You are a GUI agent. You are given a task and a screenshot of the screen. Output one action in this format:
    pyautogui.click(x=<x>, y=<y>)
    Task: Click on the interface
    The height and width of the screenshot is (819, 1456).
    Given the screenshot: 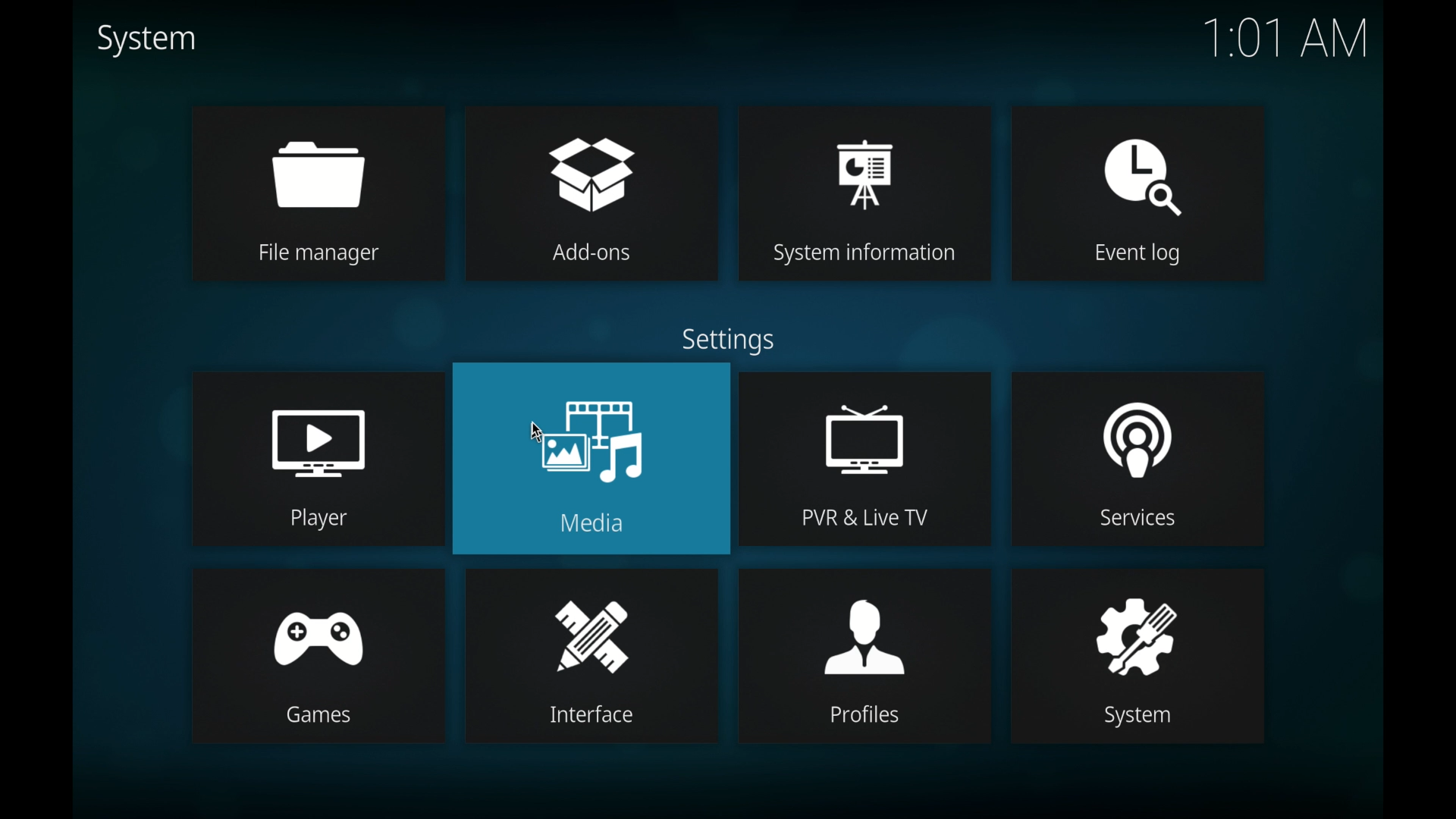 What is the action you would take?
    pyautogui.click(x=595, y=630)
    